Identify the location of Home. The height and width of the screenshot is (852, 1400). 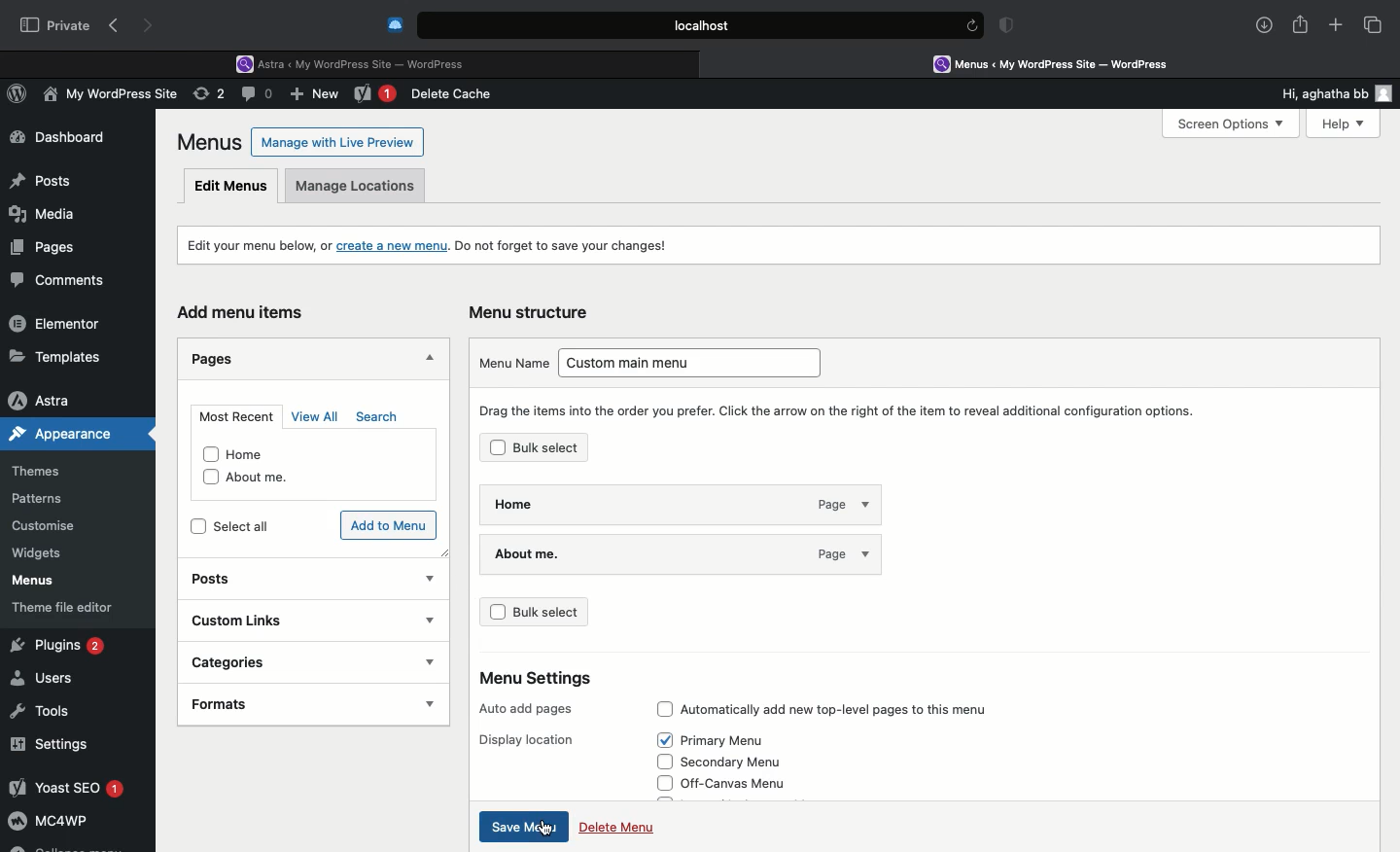
(260, 449).